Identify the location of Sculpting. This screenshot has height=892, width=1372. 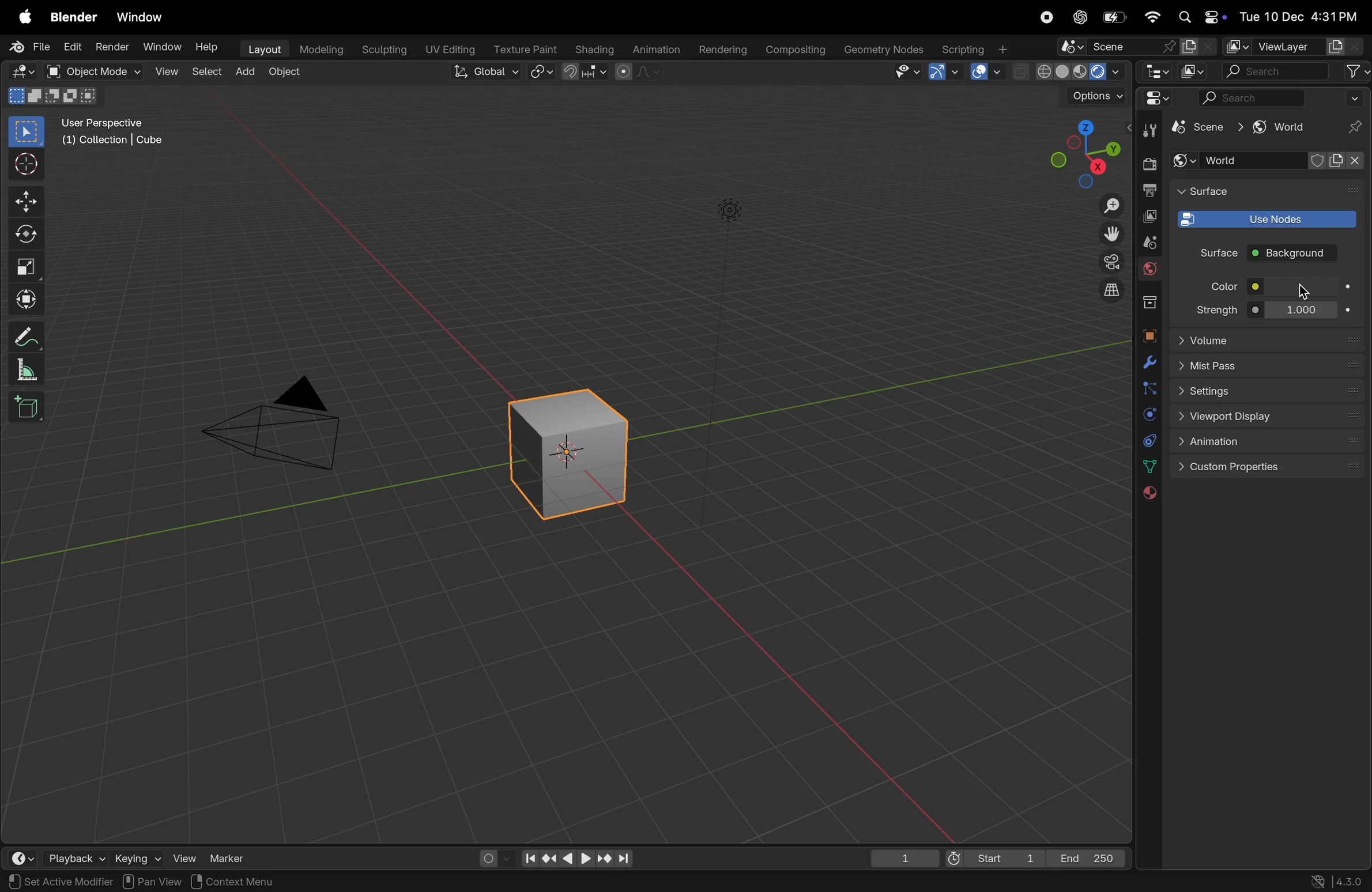
(381, 50).